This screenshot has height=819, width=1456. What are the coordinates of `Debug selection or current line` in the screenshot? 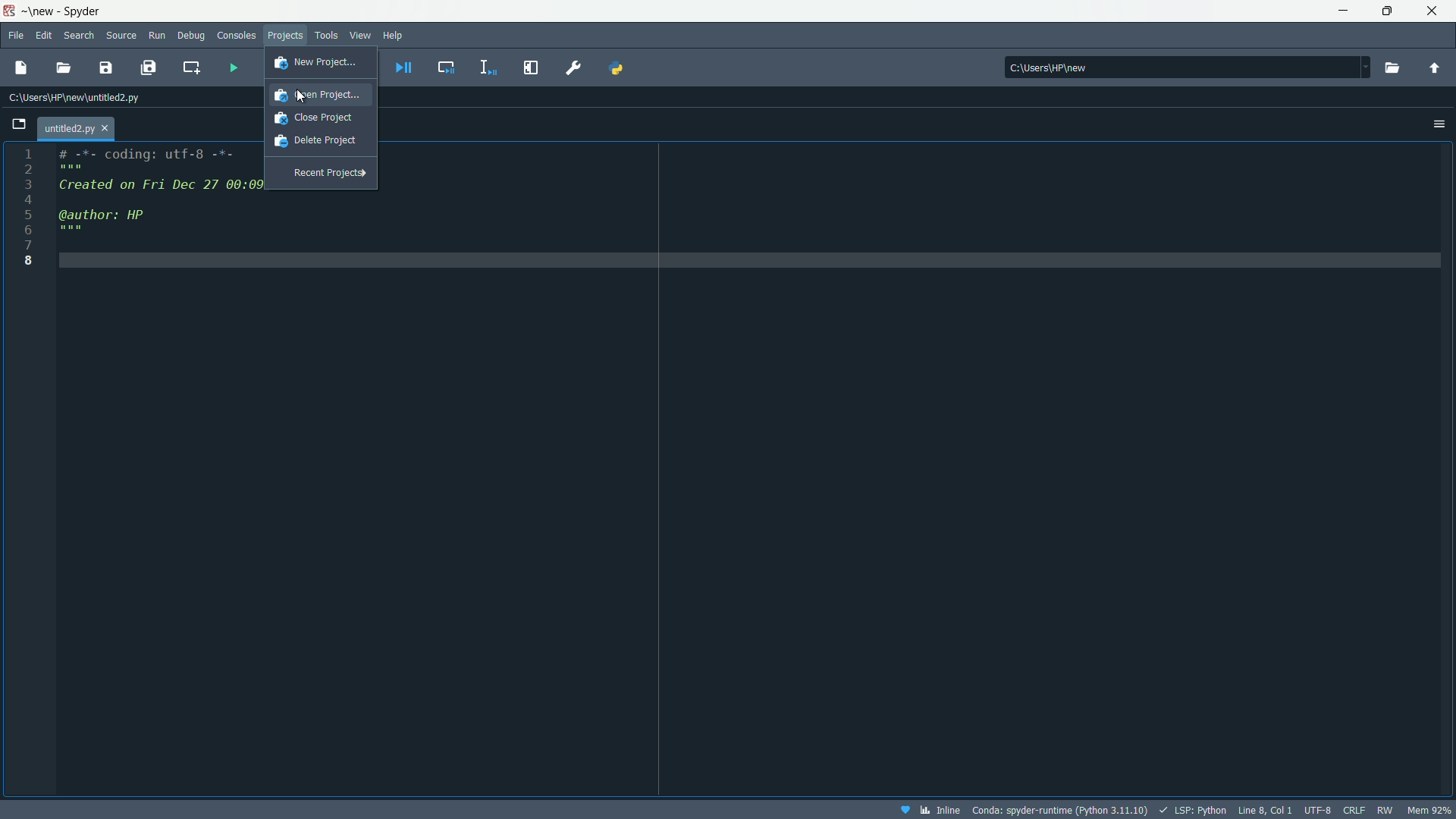 It's located at (488, 67).